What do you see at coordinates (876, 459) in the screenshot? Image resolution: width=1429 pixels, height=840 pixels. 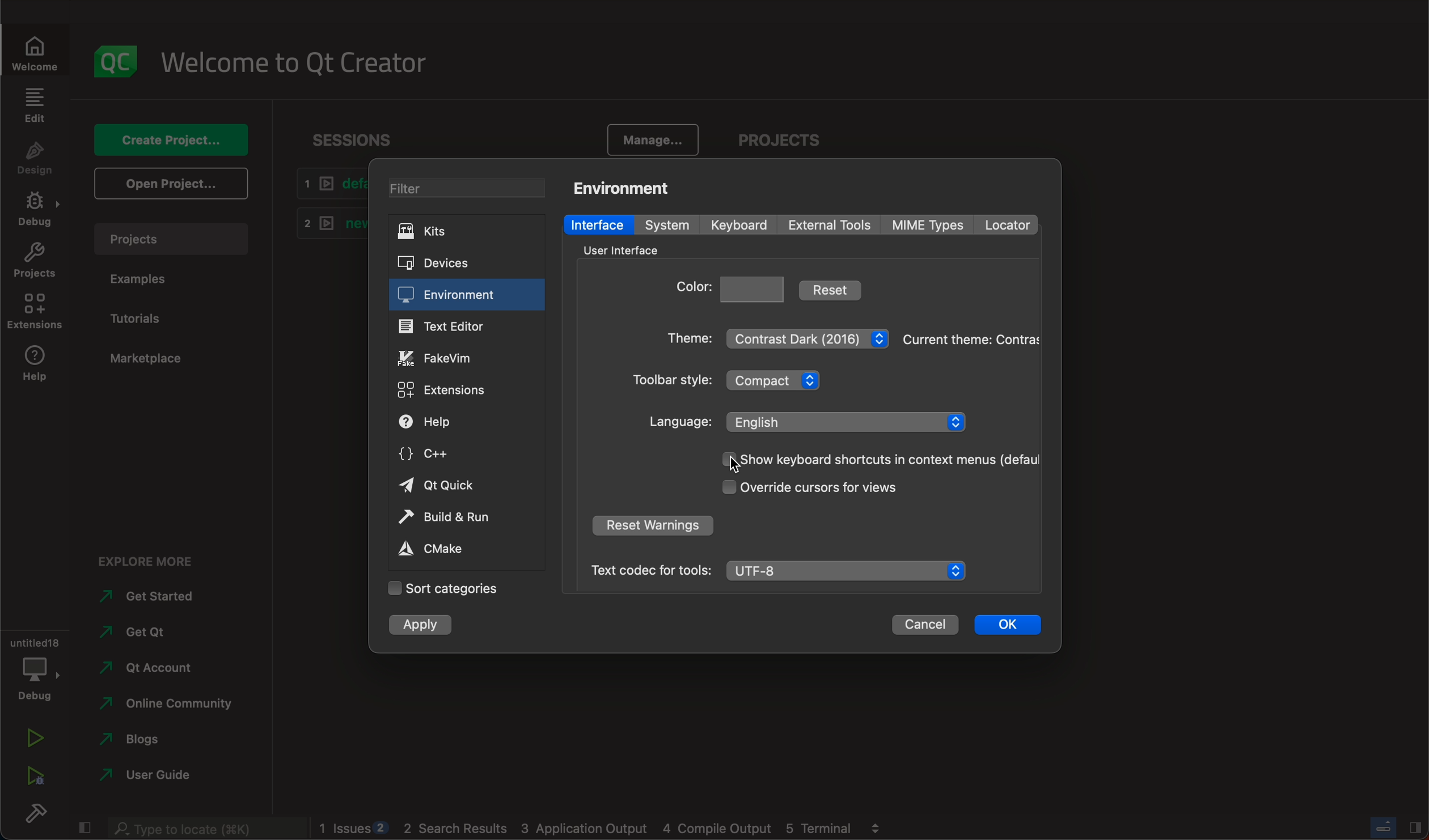 I see `show keyboard menus` at bounding box center [876, 459].